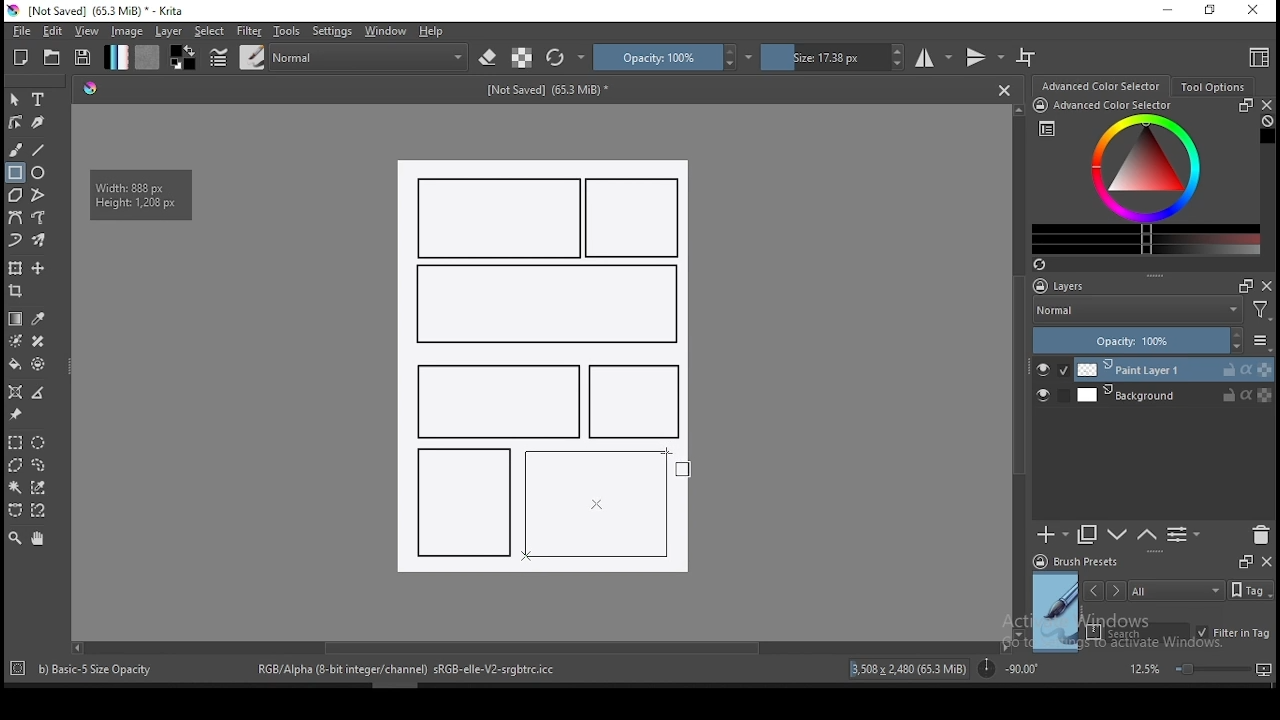  Describe the element at coordinates (1008, 667) in the screenshot. I see `rotation` at that location.